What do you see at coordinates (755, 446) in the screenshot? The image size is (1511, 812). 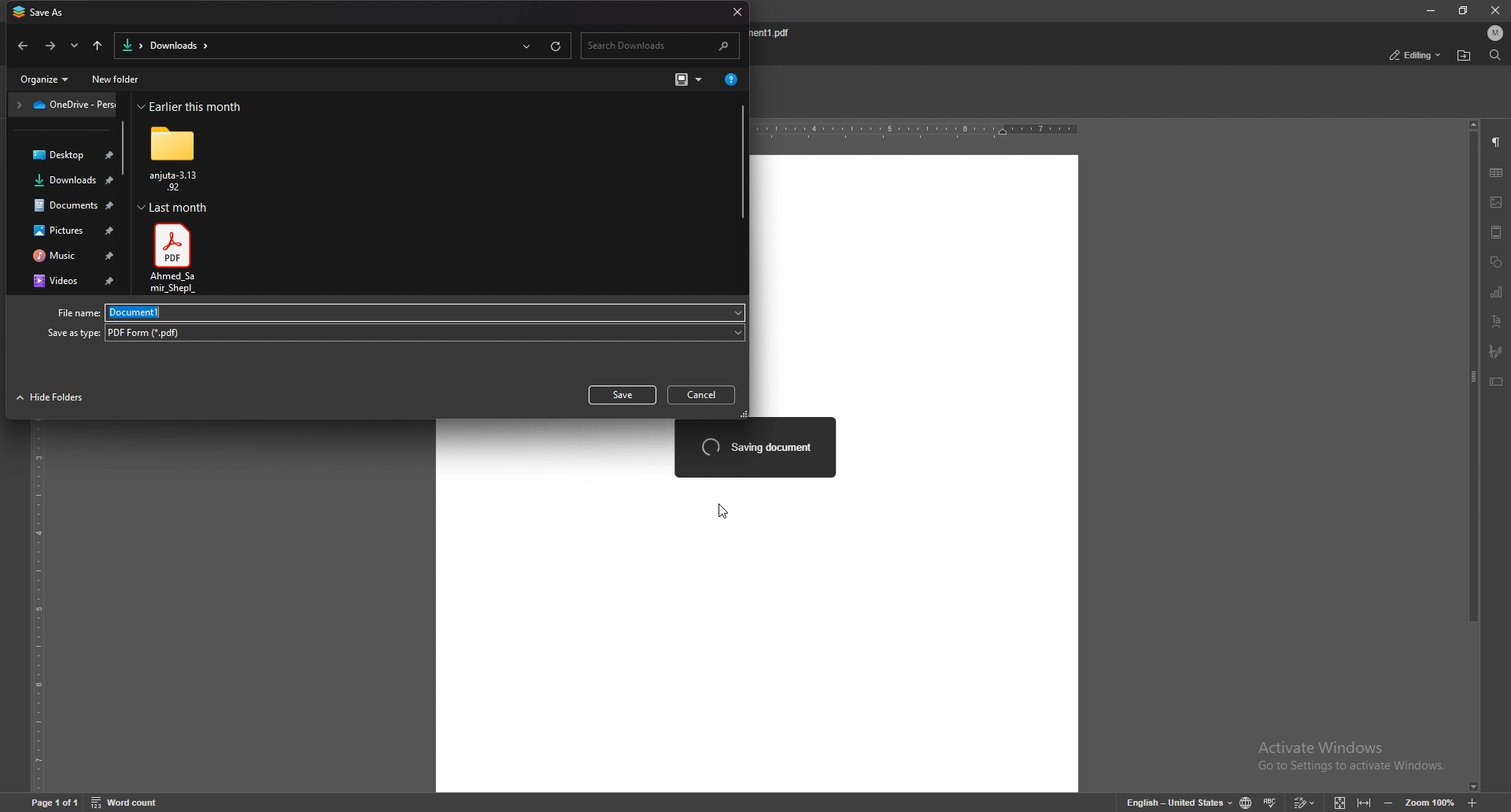 I see `loading` at bounding box center [755, 446].